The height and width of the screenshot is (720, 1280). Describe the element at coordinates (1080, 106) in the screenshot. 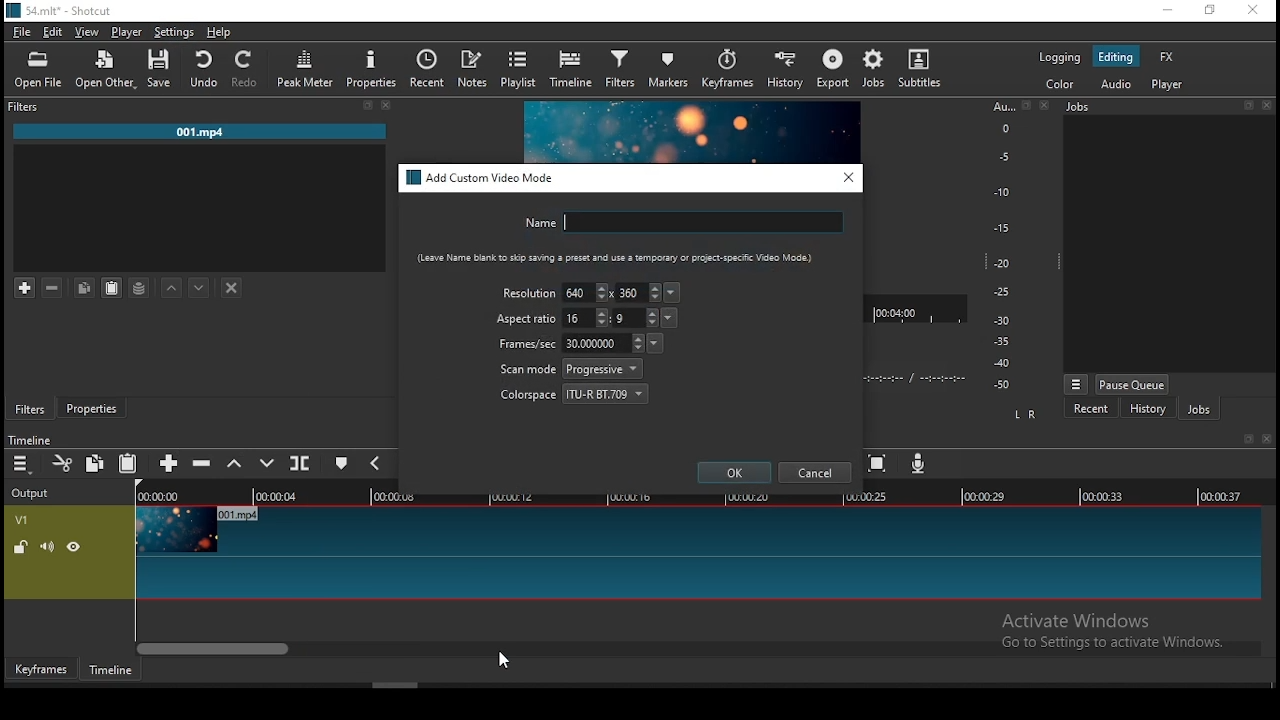

I see `jobs` at that location.